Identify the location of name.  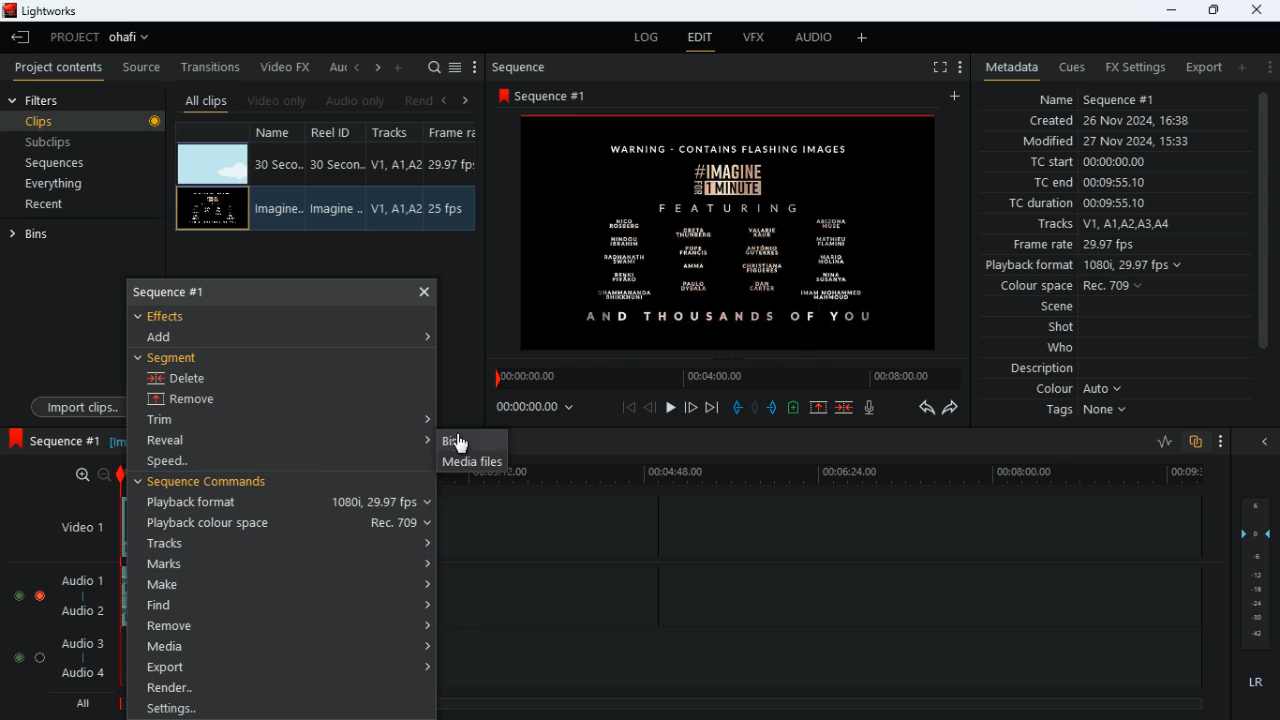
(1120, 100).